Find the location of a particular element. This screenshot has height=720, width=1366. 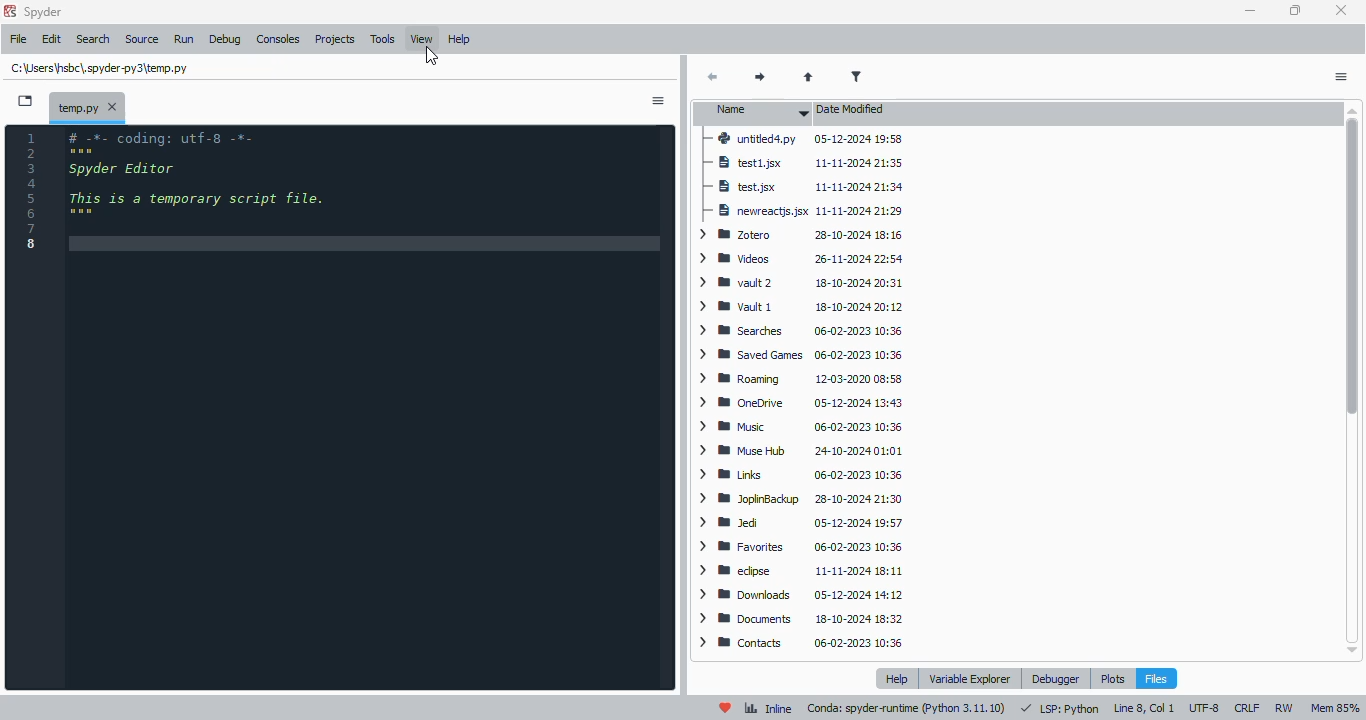

tools is located at coordinates (383, 39).